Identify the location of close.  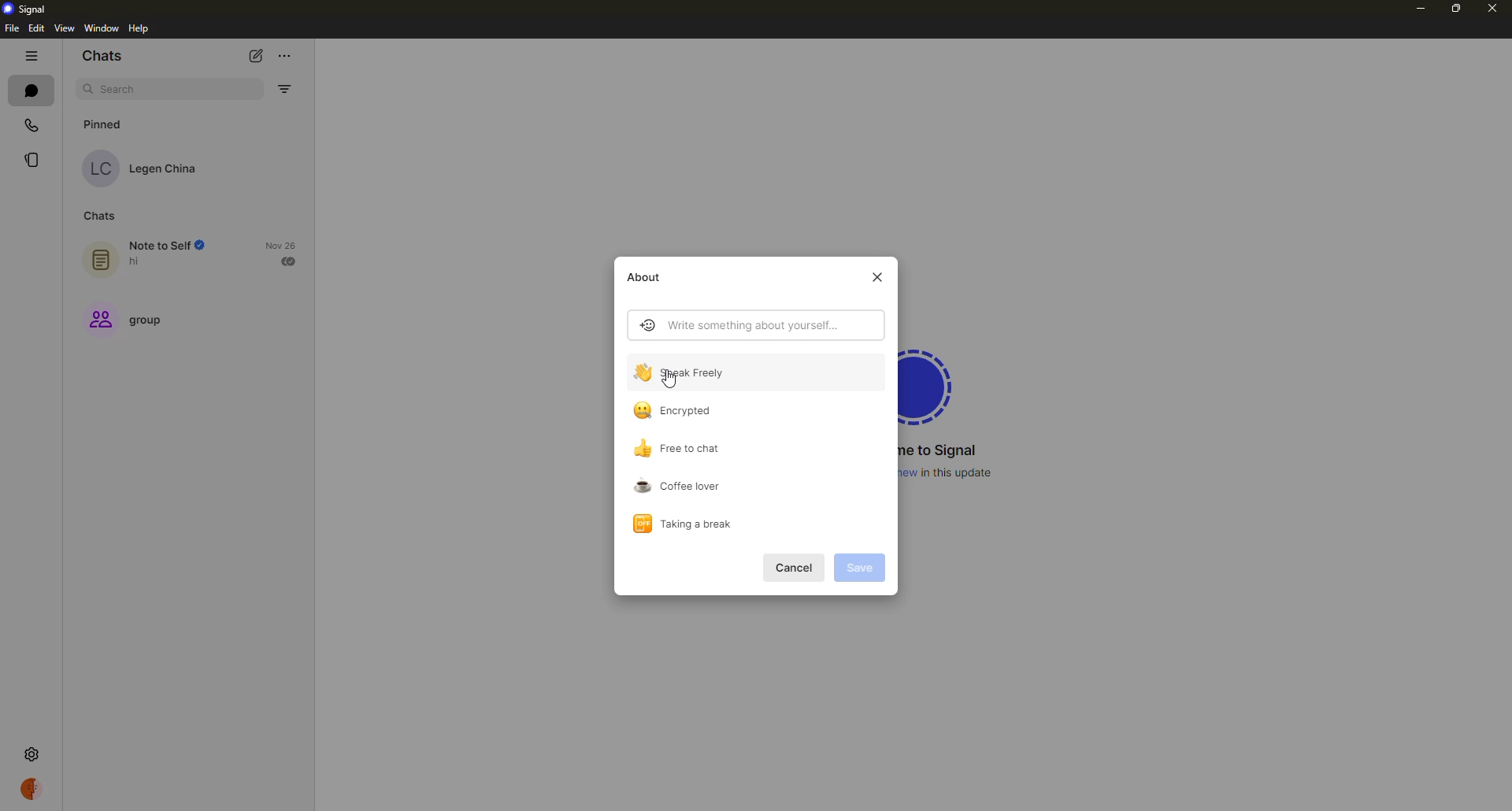
(1492, 7).